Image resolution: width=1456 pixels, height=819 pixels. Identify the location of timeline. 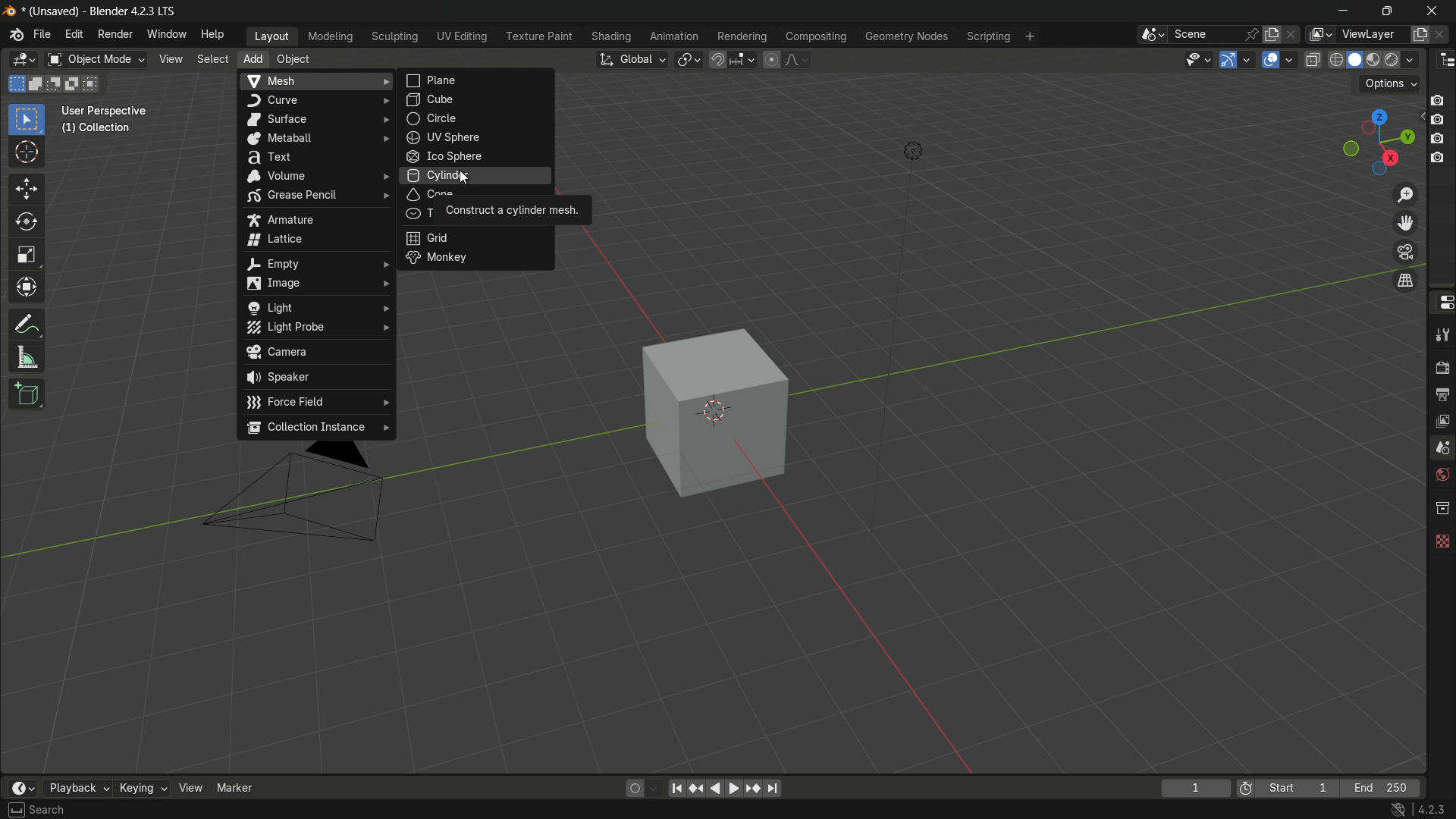
(22, 784).